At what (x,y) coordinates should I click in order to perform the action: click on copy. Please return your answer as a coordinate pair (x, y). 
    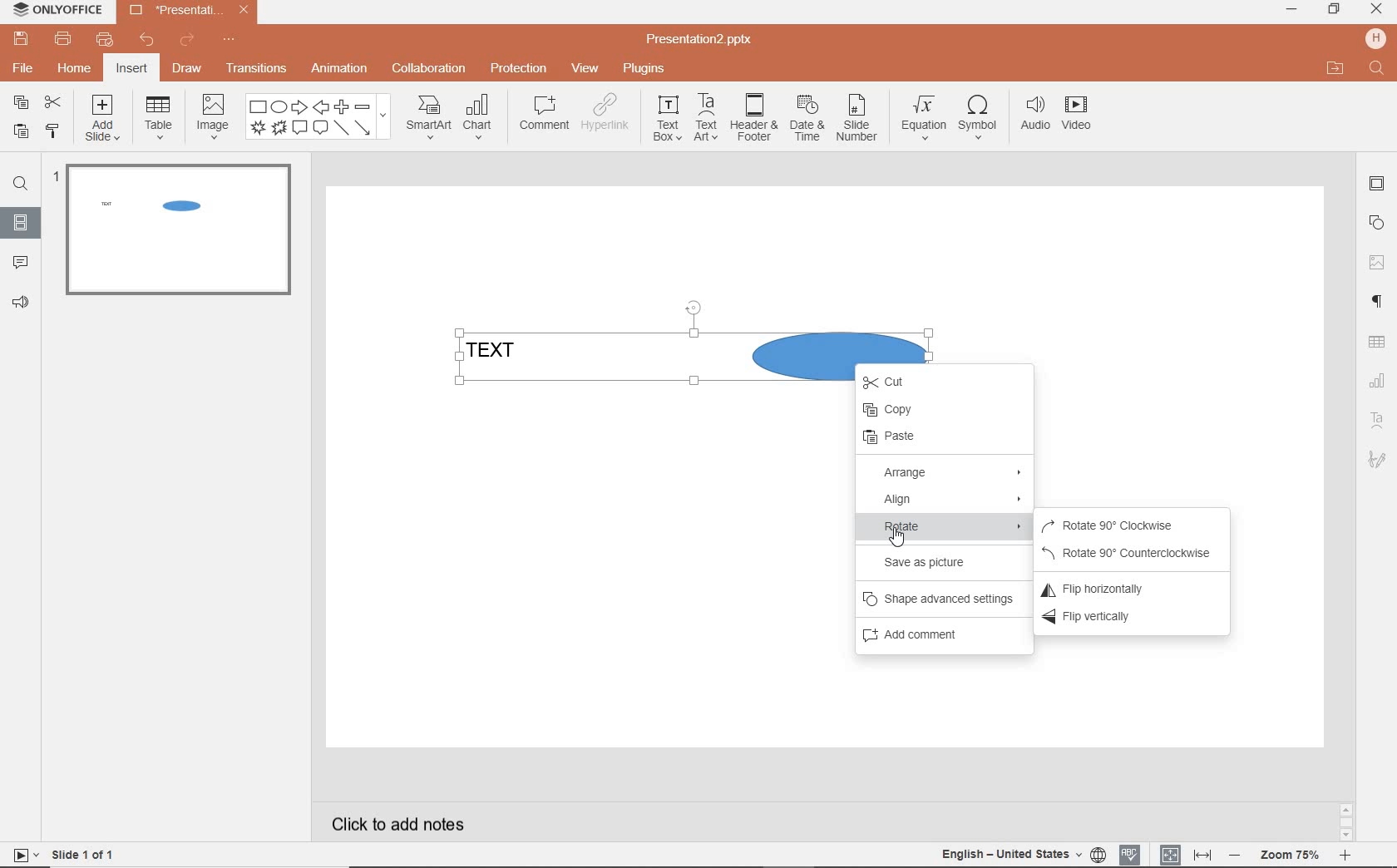
    Looking at the image, I should click on (942, 411).